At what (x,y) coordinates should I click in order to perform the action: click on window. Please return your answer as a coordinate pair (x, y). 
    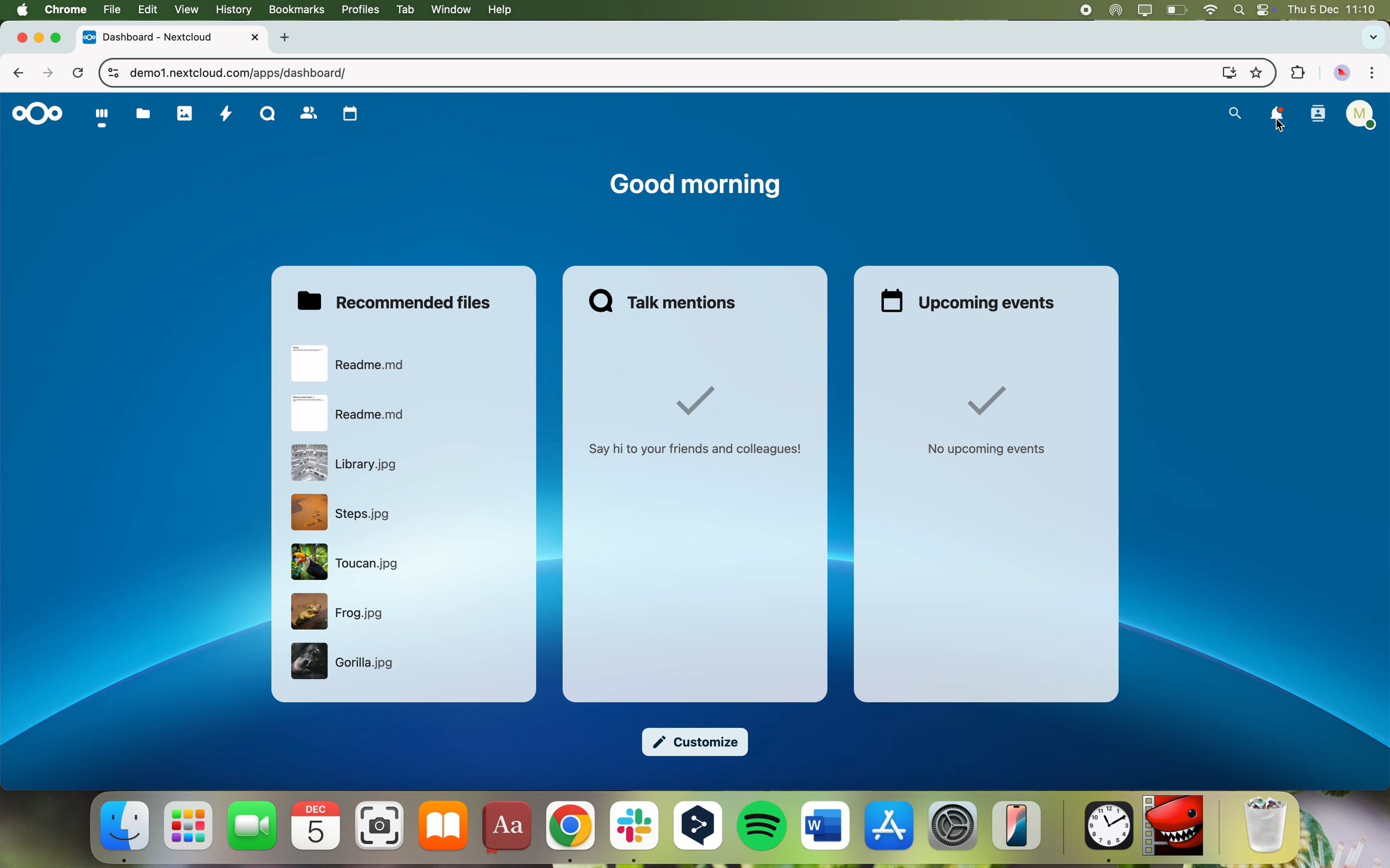
    Looking at the image, I should click on (451, 10).